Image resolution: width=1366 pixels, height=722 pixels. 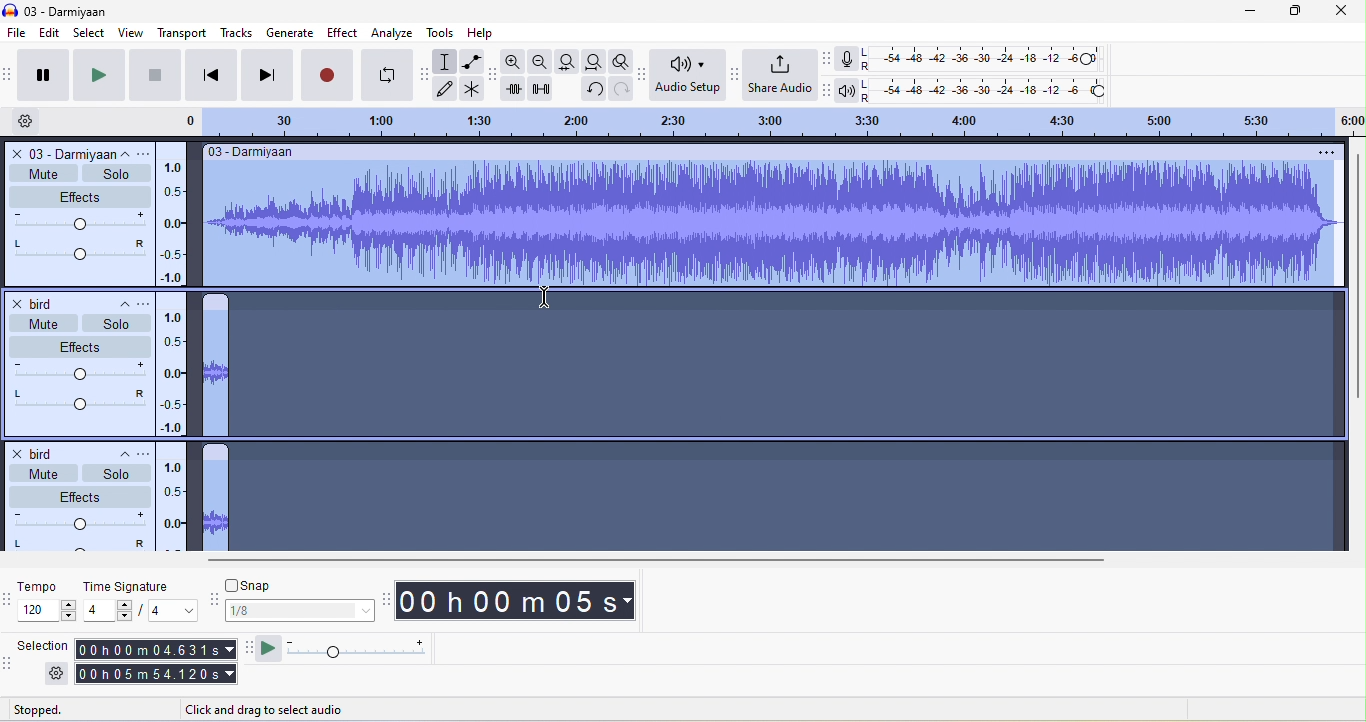 I want to click on fit project to width, so click(x=595, y=64).